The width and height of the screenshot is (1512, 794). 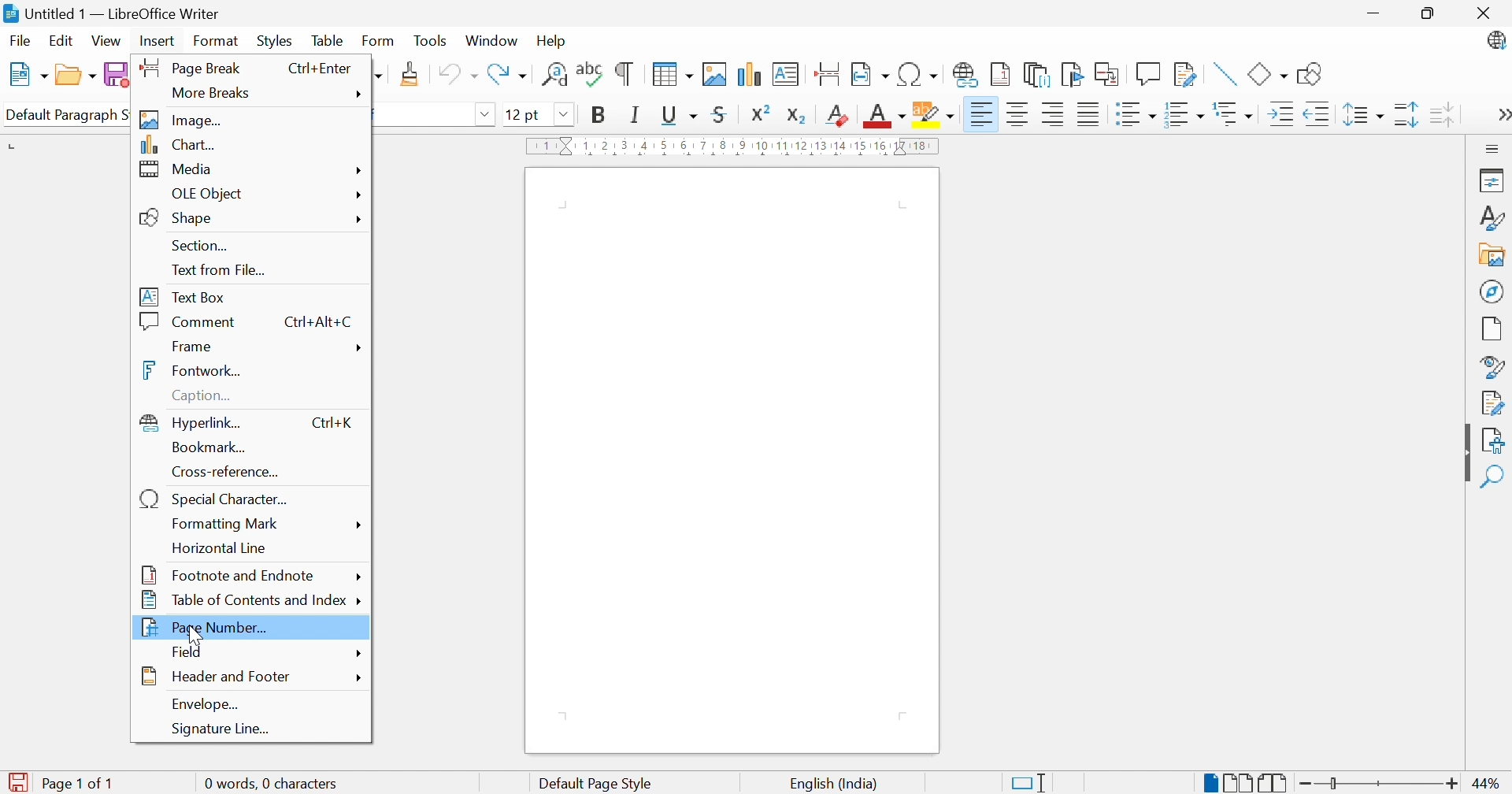 What do you see at coordinates (358, 576) in the screenshot?
I see `More` at bounding box center [358, 576].